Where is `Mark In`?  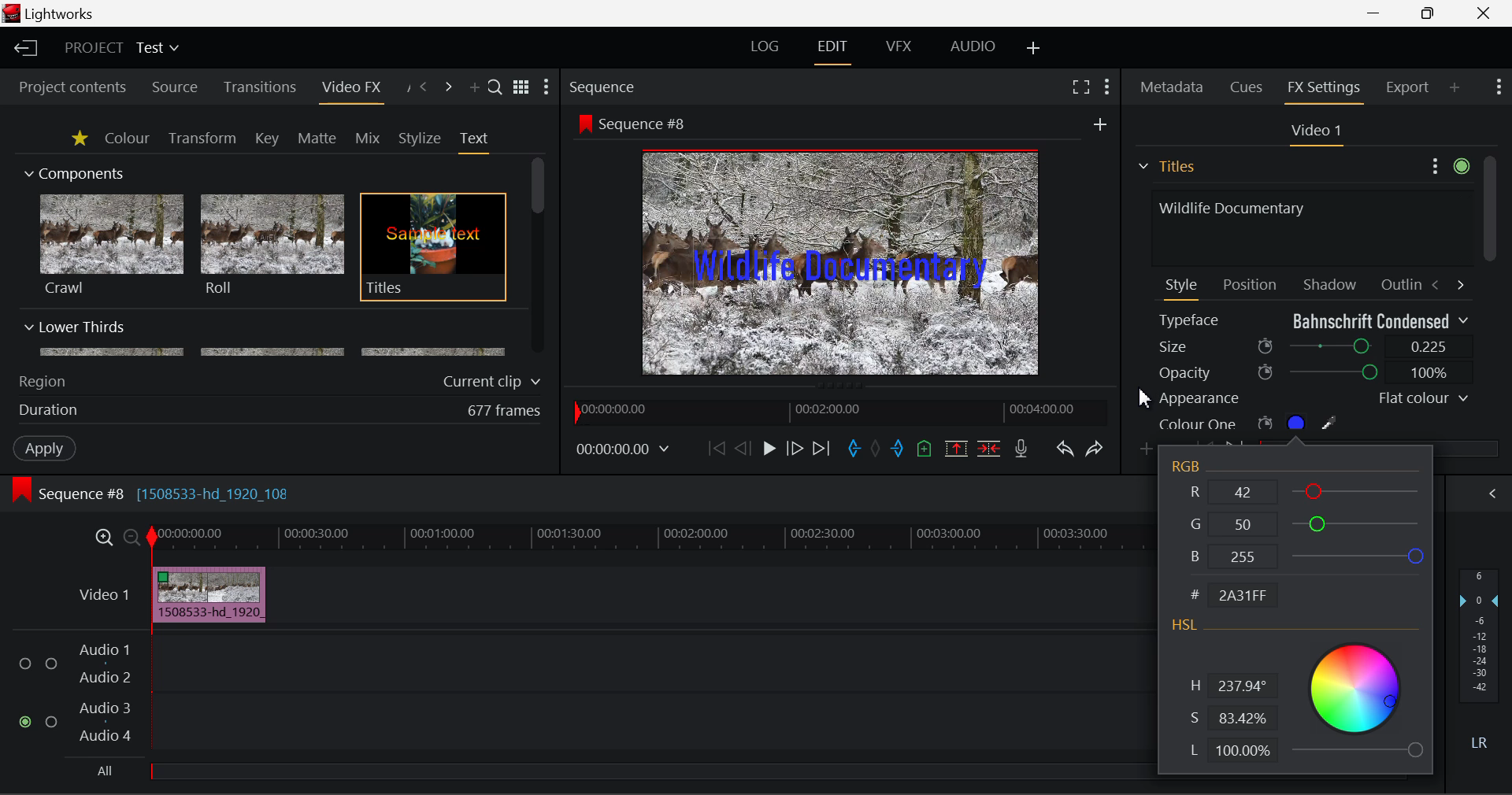
Mark In is located at coordinates (854, 451).